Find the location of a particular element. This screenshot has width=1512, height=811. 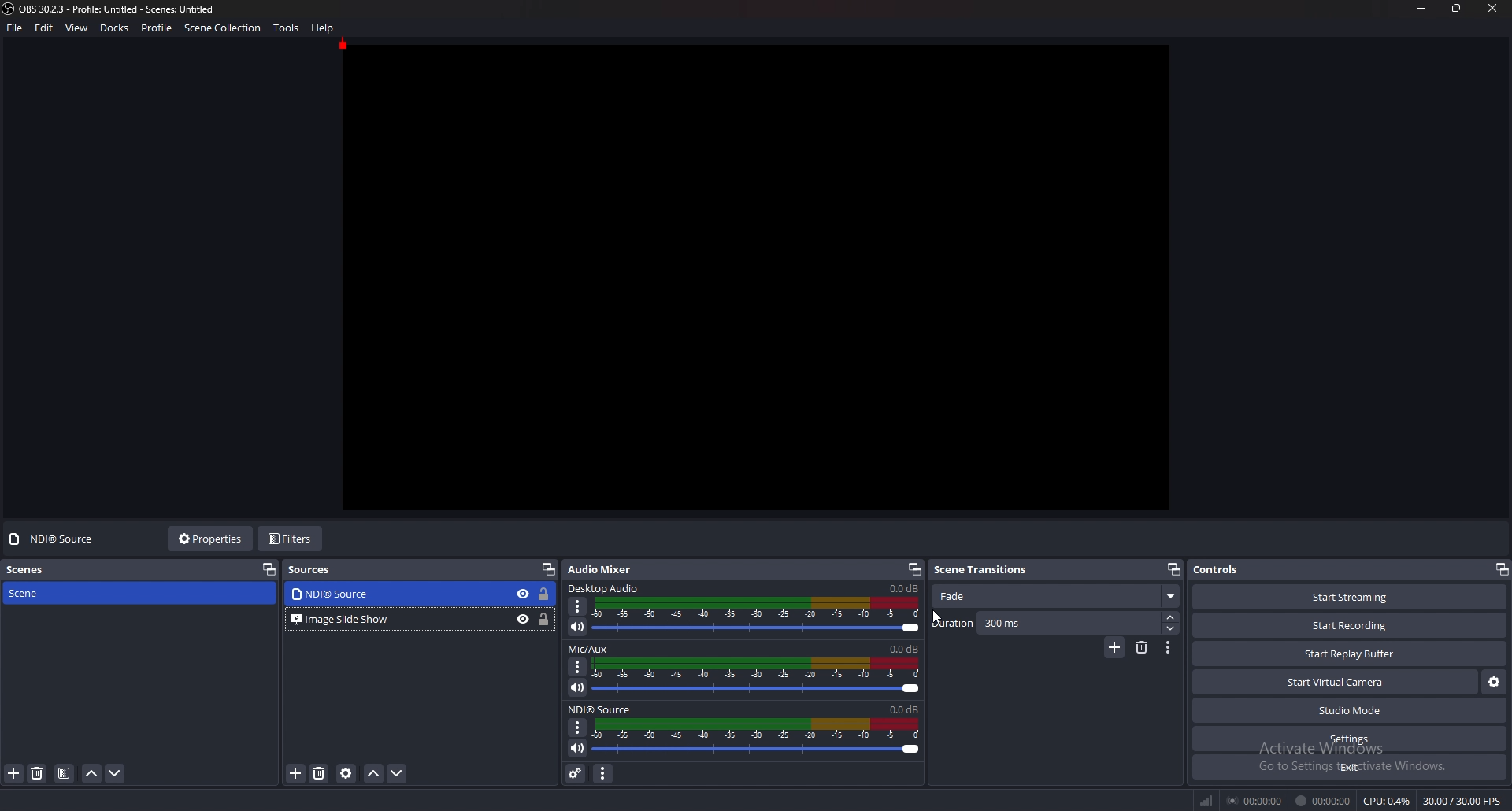

options is located at coordinates (577, 606).